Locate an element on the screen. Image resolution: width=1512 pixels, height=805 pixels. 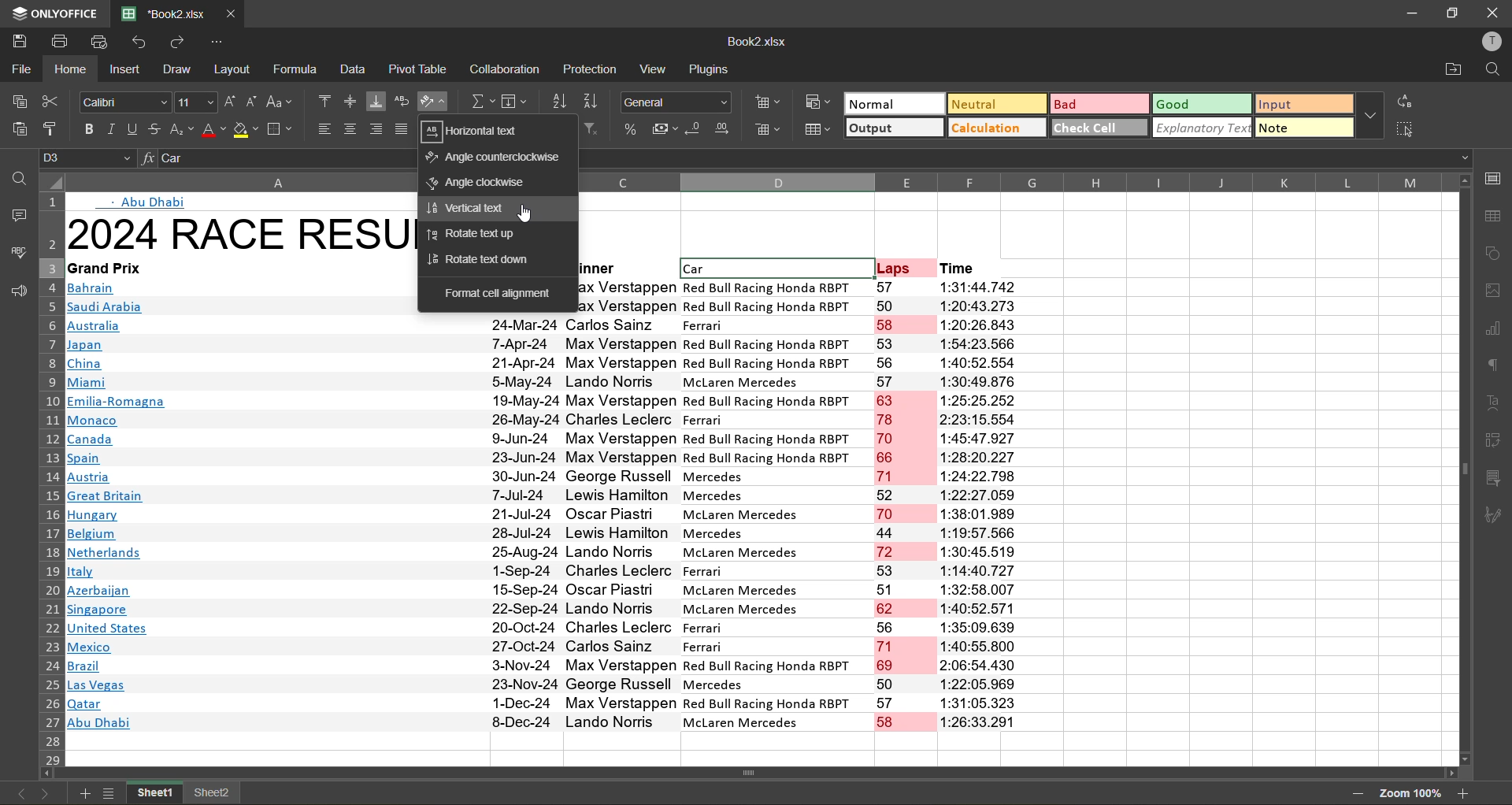
profile is located at coordinates (1492, 43).